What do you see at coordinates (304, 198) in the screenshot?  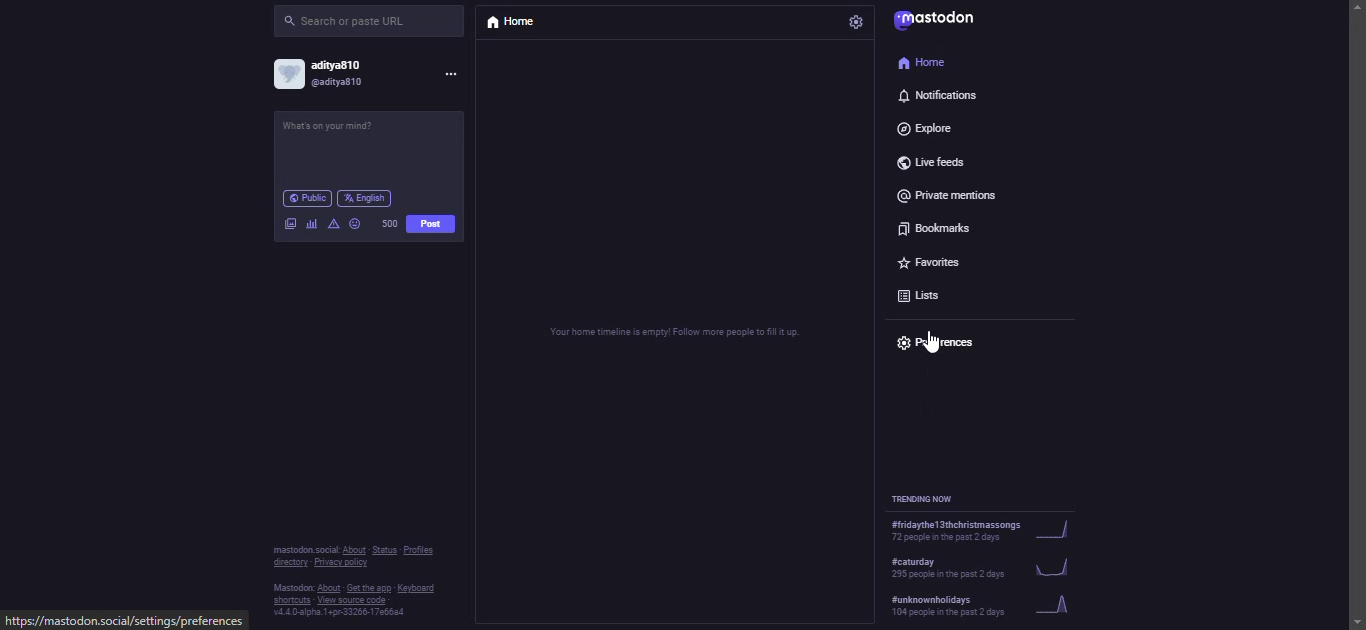 I see `public` at bounding box center [304, 198].